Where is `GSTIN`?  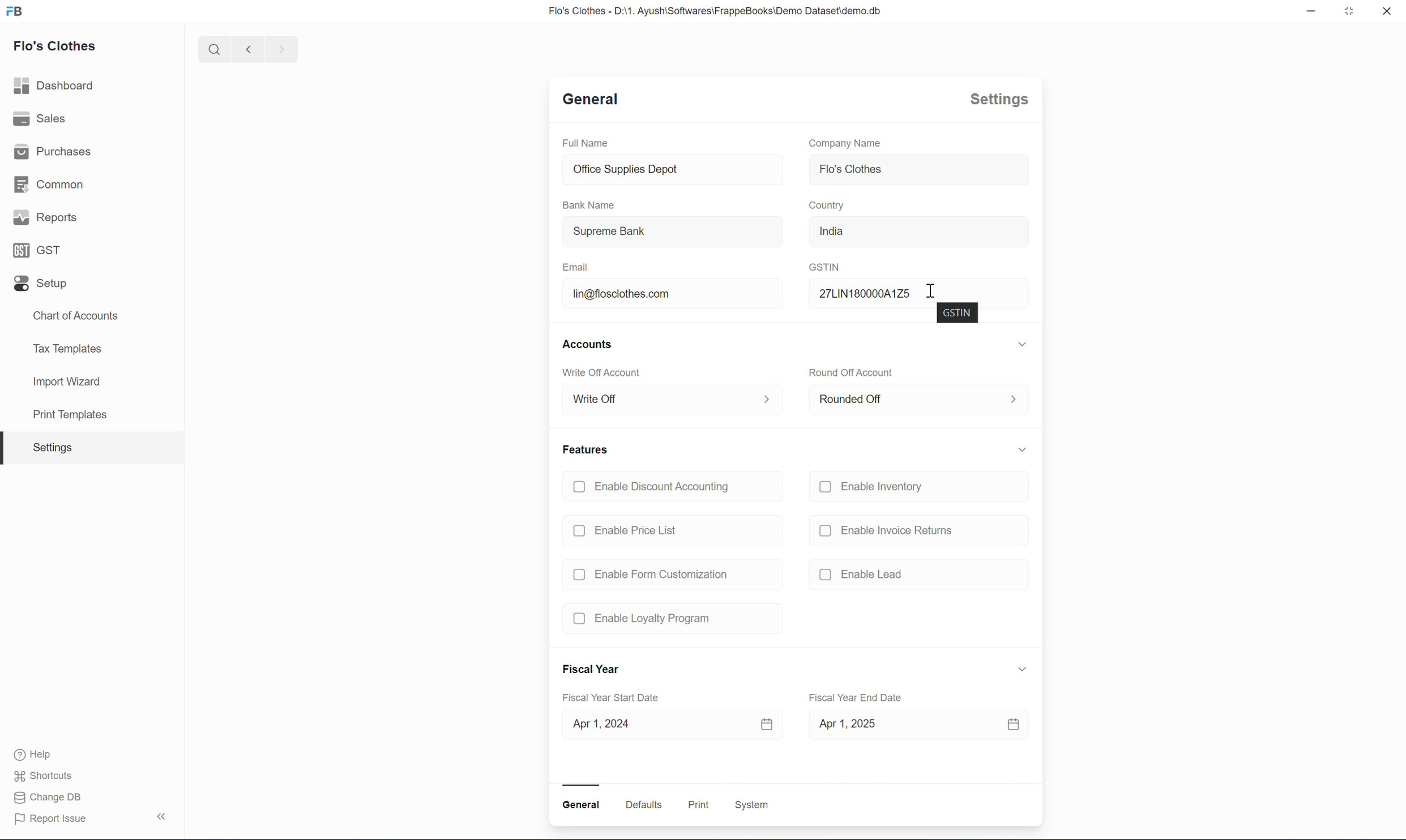 GSTIN is located at coordinates (958, 312).